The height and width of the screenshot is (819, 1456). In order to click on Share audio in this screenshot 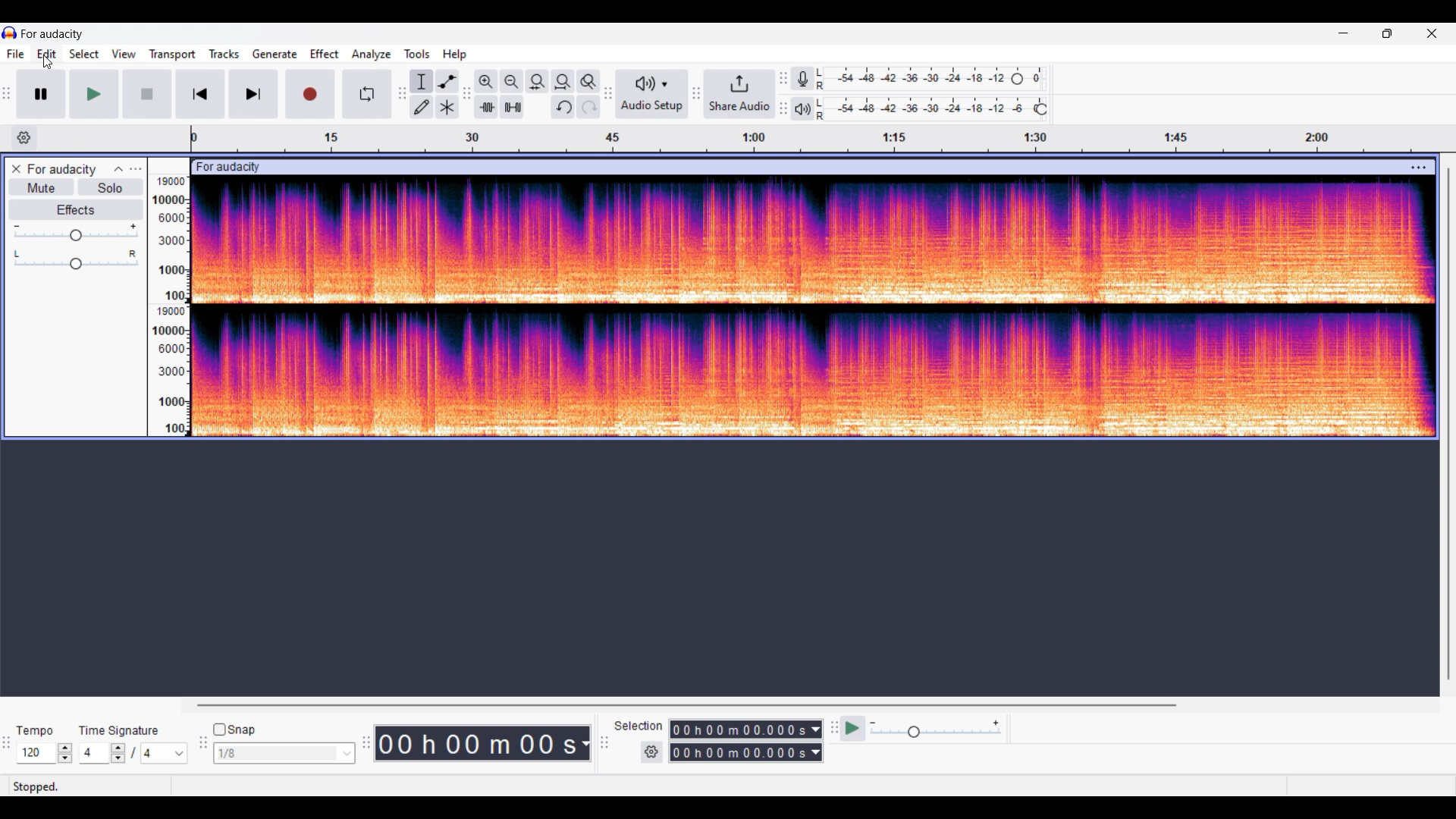, I will do `click(739, 93)`.